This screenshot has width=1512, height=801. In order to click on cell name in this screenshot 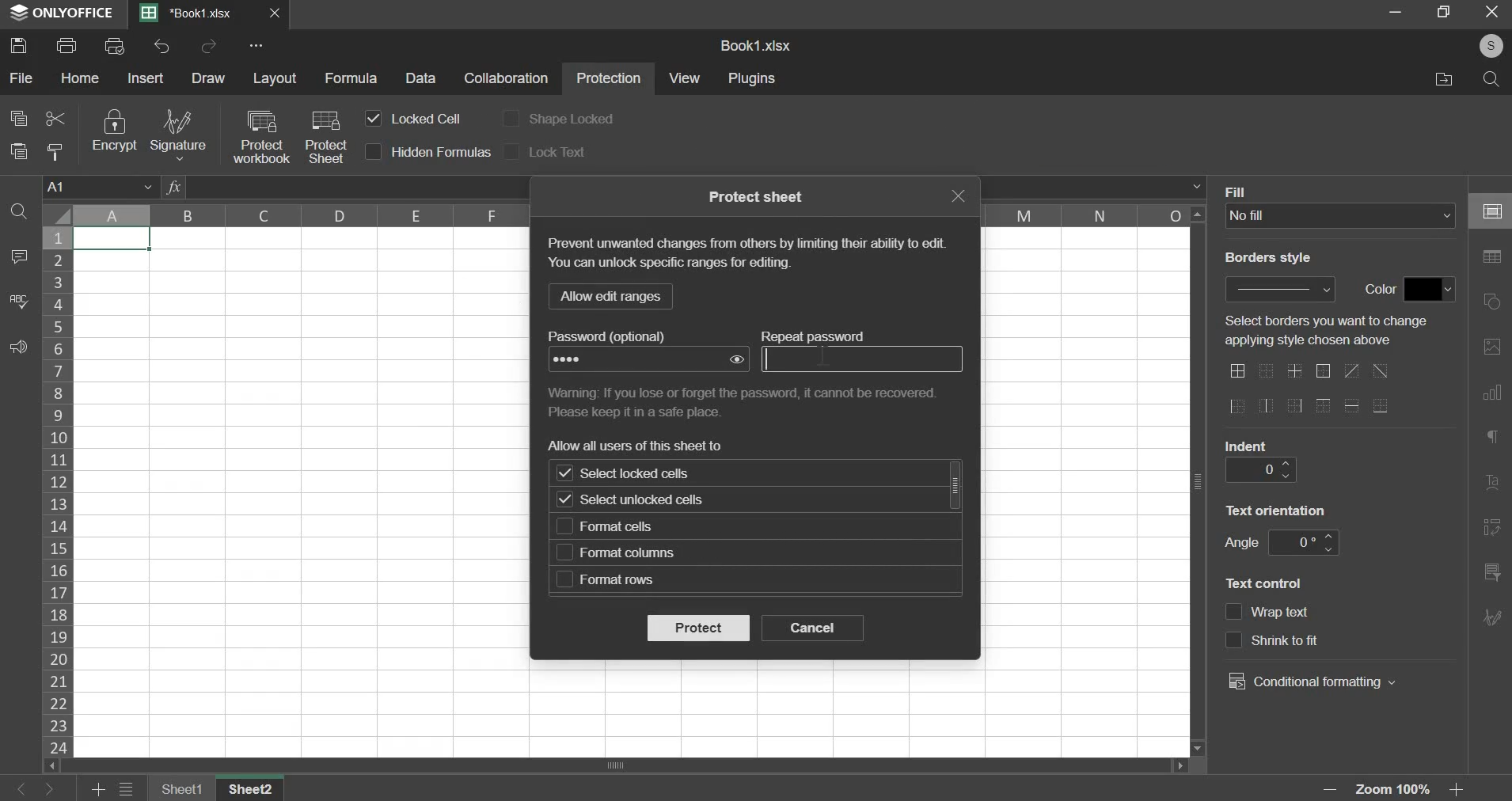, I will do `click(101, 185)`.